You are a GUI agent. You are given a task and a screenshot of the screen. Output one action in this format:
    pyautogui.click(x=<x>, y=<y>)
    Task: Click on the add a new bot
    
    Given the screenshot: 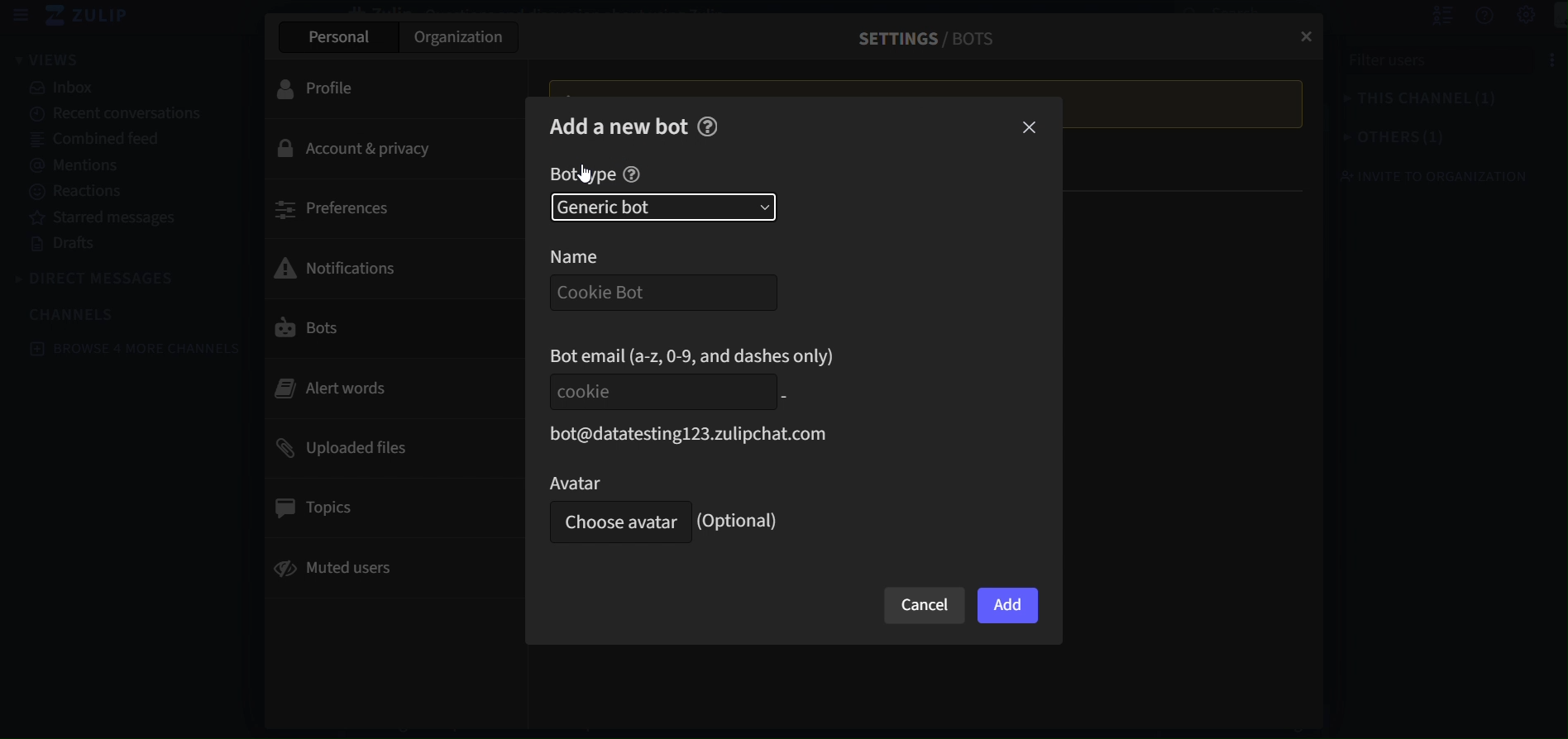 What is the action you would take?
    pyautogui.click(x=619, y=125)
    